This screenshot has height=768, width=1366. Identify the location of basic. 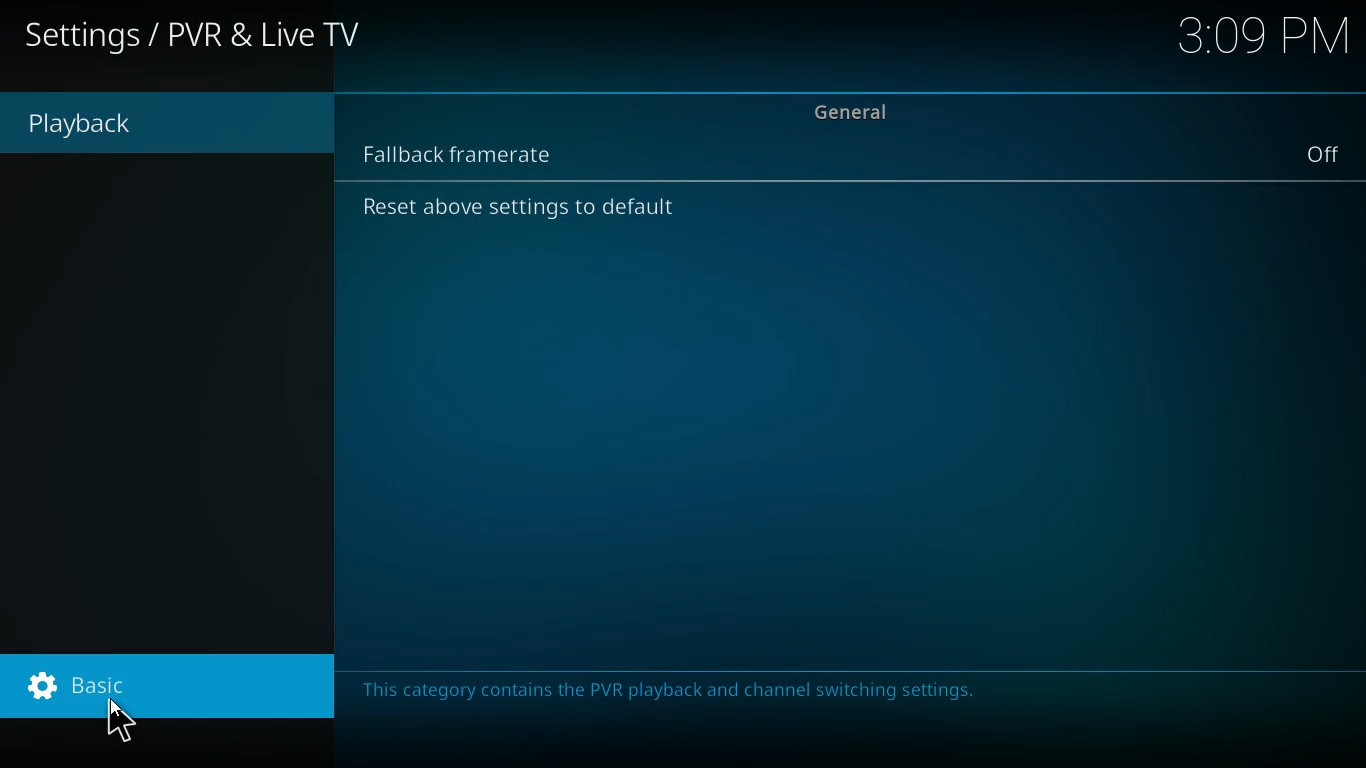
(177, 692).